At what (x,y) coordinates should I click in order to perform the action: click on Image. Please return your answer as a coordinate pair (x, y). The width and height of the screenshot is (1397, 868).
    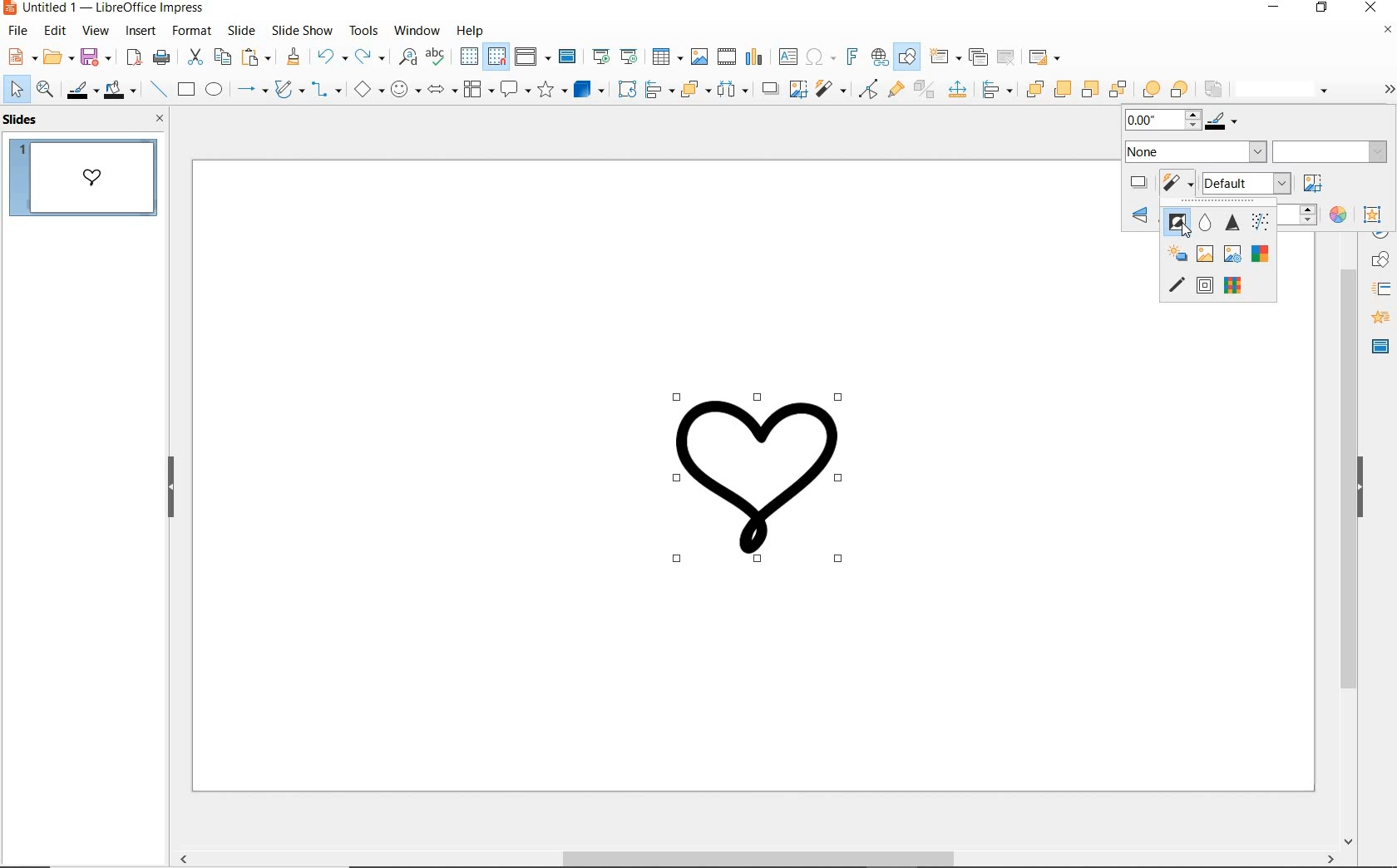
    Looking at the image, I should click on (768, 485).